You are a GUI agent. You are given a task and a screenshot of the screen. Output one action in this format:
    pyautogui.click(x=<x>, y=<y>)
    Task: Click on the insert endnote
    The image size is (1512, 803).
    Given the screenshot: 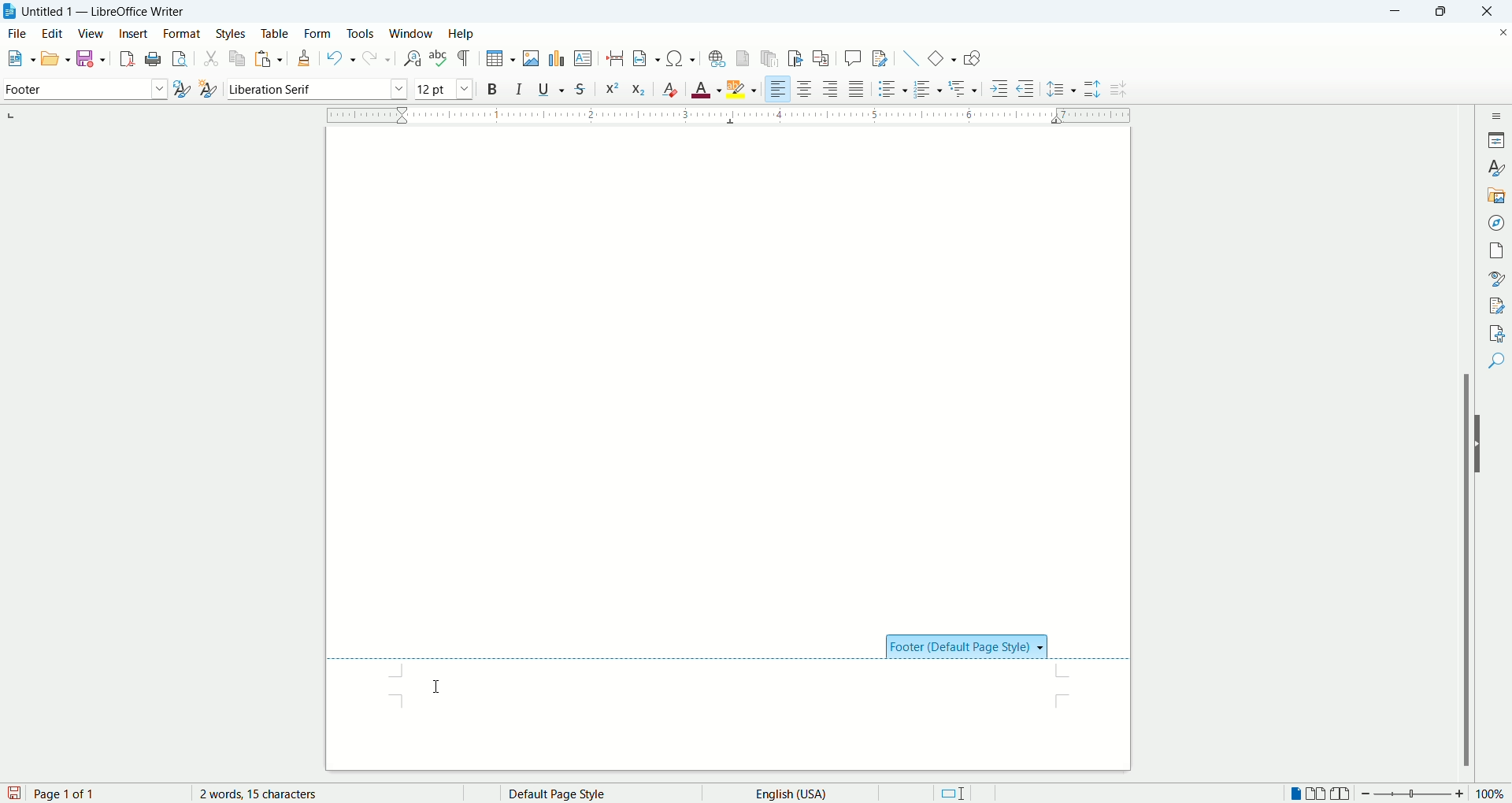 What is the action you would take?
    pyautogui.click(x=771, y=58)
    